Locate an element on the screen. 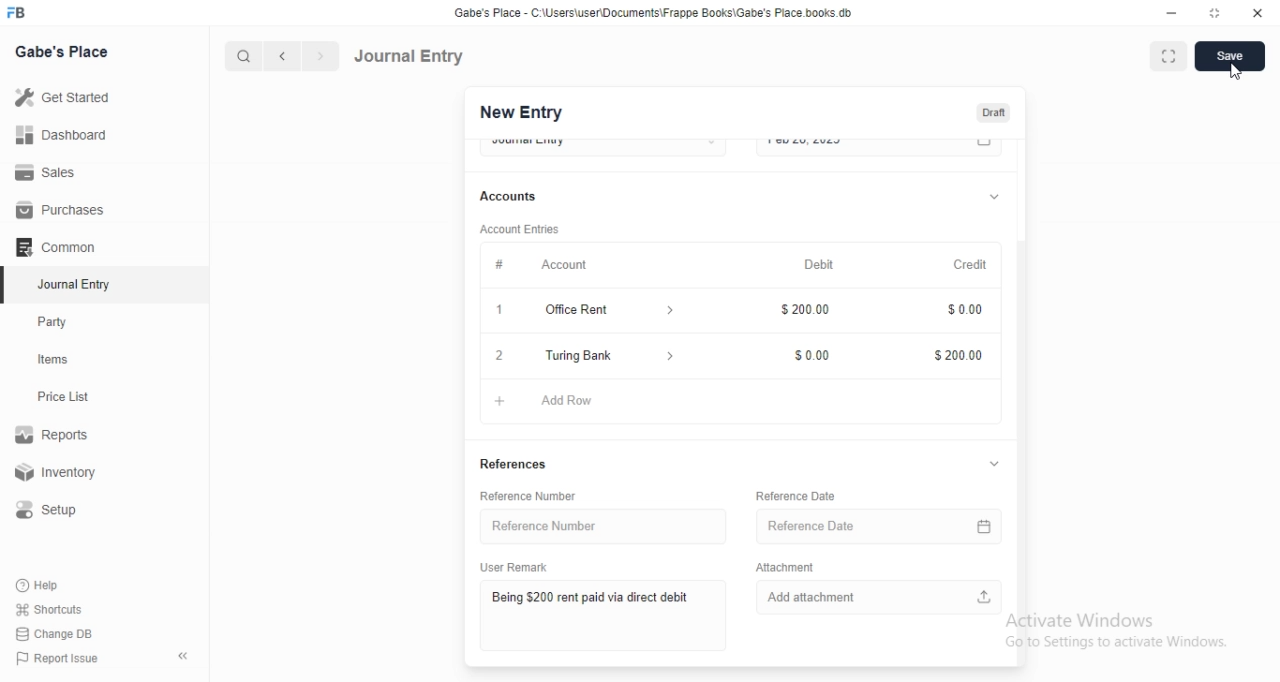 This screenshot has width=1280, height=682. $200.00 is located at coordinates (802, 311).